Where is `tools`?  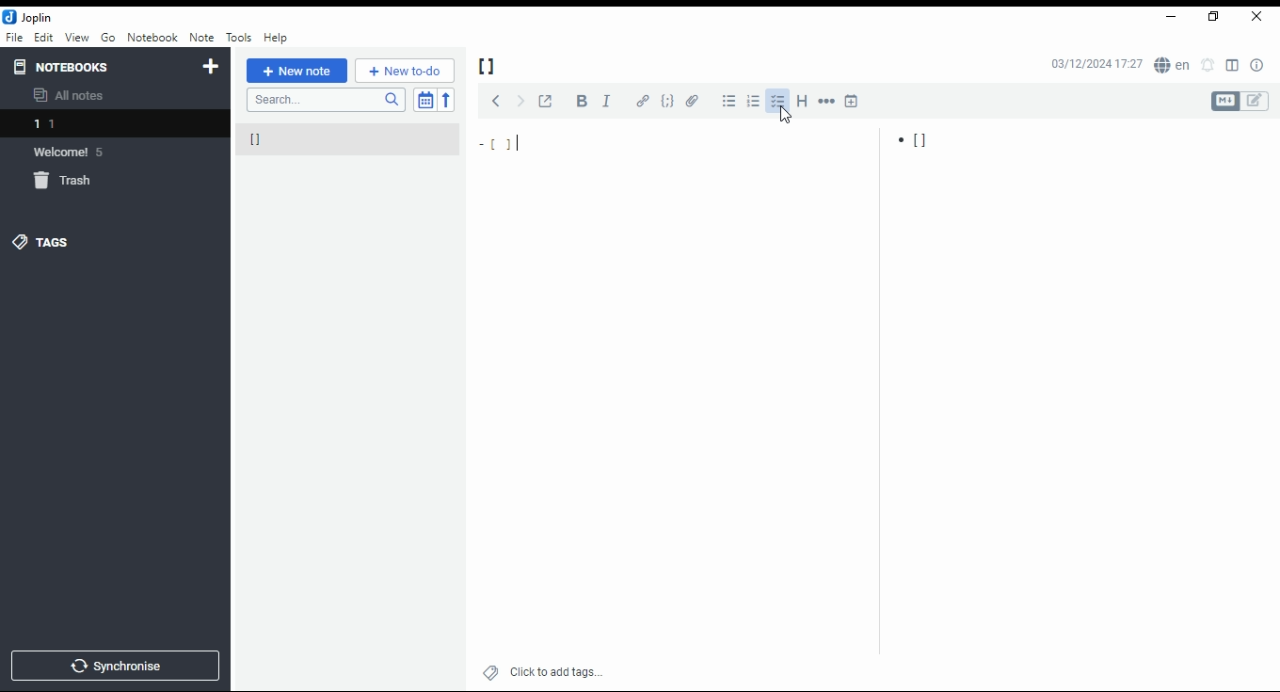
tools is located at coordinates (240, 38).